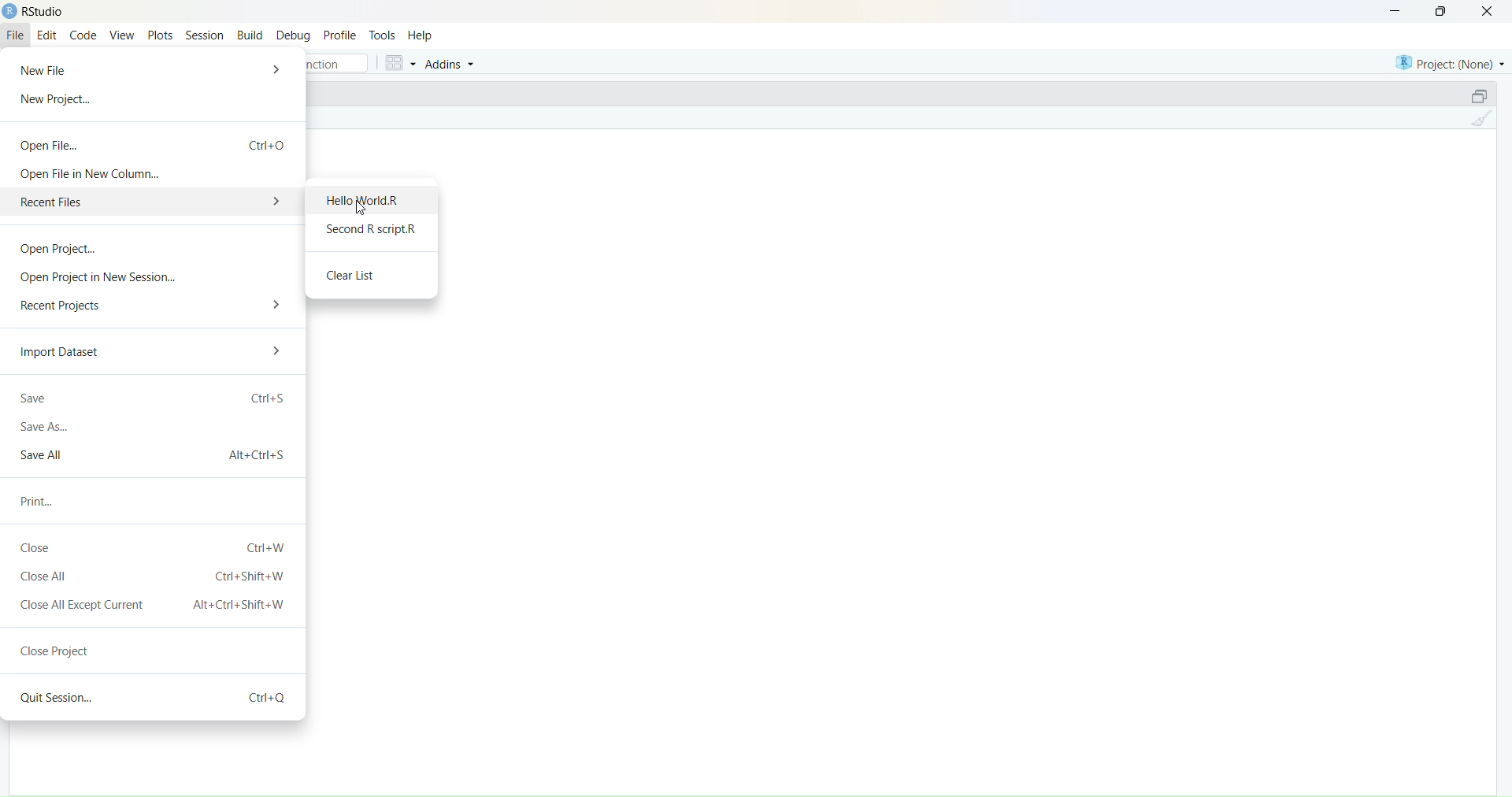 The width and height of the screenshot is (1512, 797). I want to click on Minimize, so click(1392, 11).